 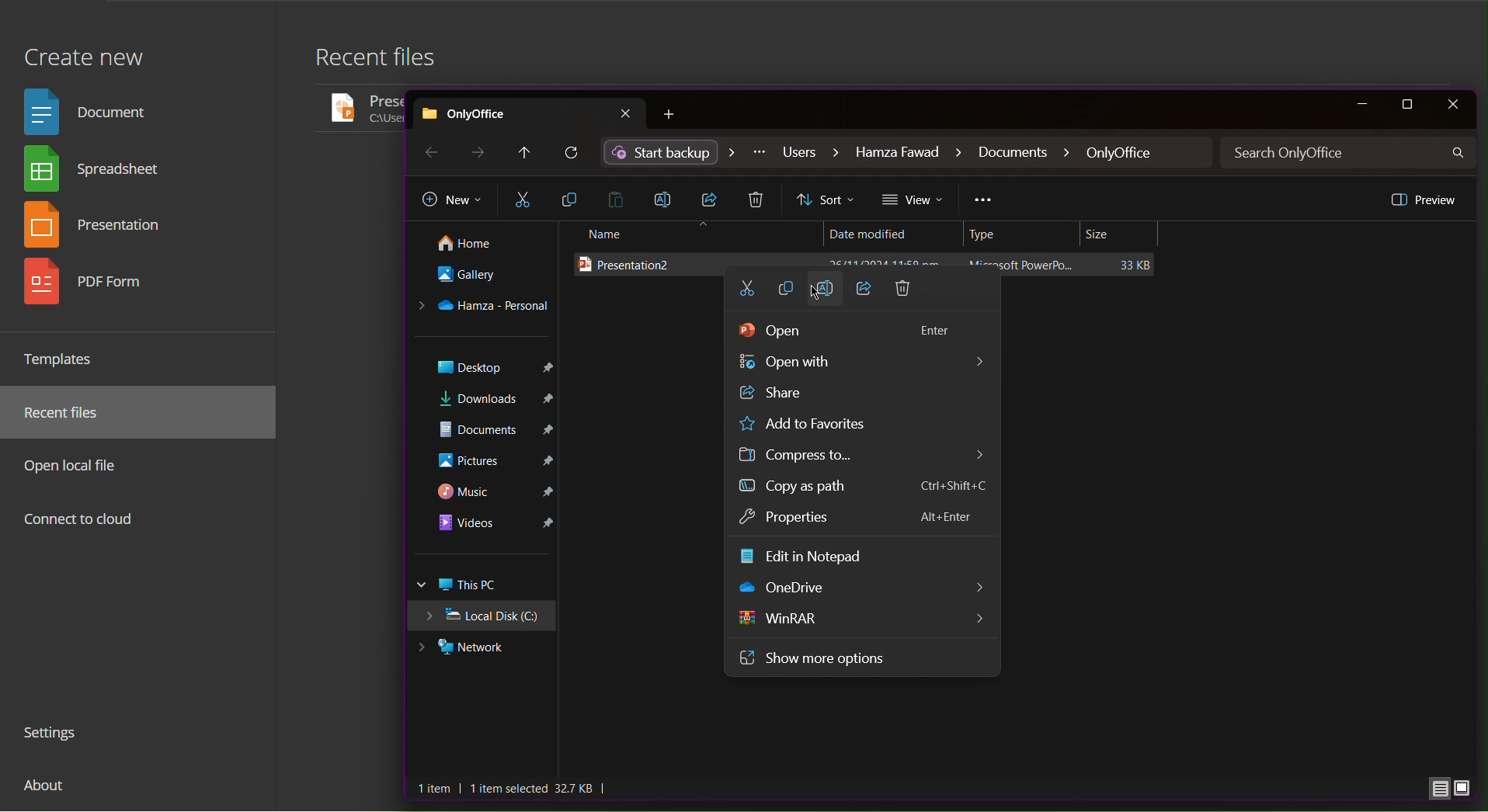 What do you see at coordinates (908, 153) in the screenshot?
I see `Address Bar` at bounding box center [908, 153].